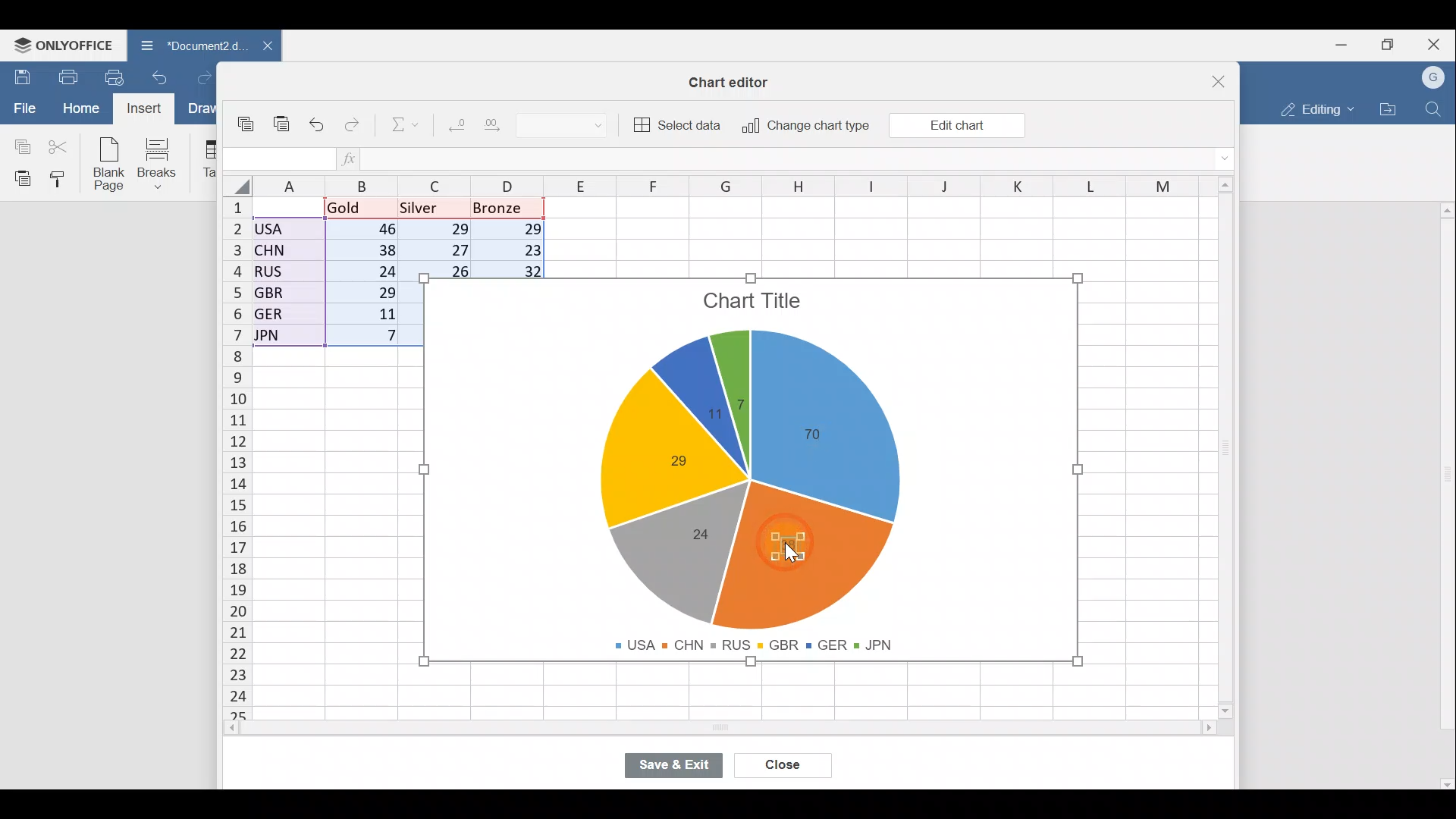 This screenshot has height=819, width=1456. Describe the element at coordinates (568, 123) in the screenshot. I see `Number format` at that location.